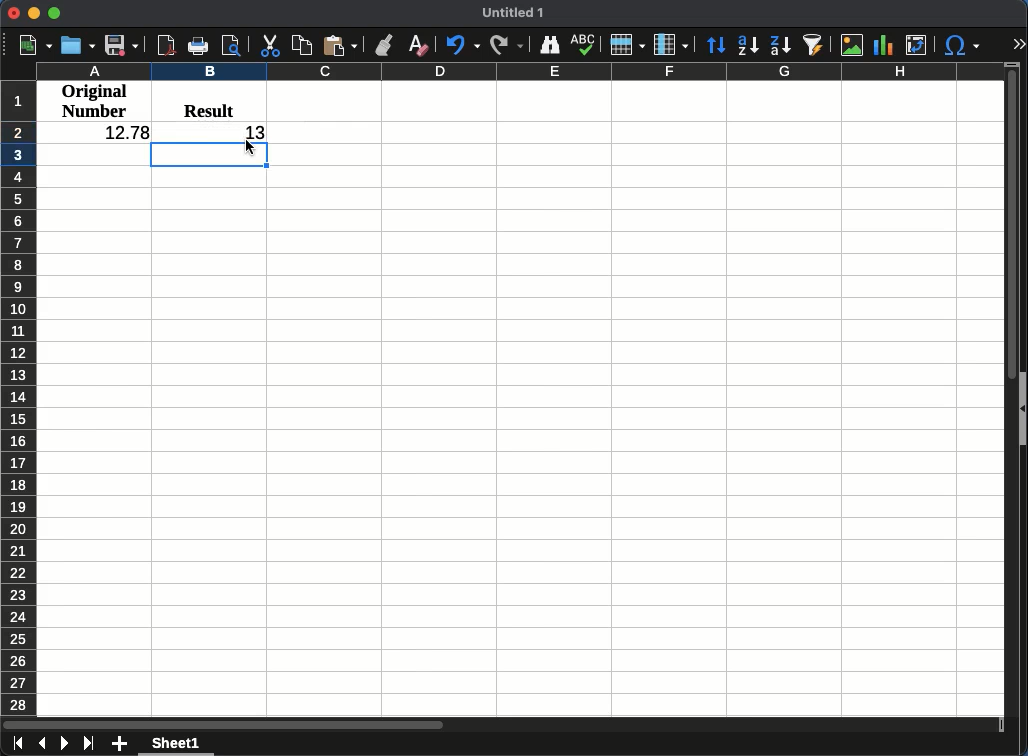 Image resolution: width=1028 pixels, height=756 pixels. What do you see at coordinates (627, 44) in the screenshot?
I see `Rows` at bounding box center [627, 44].